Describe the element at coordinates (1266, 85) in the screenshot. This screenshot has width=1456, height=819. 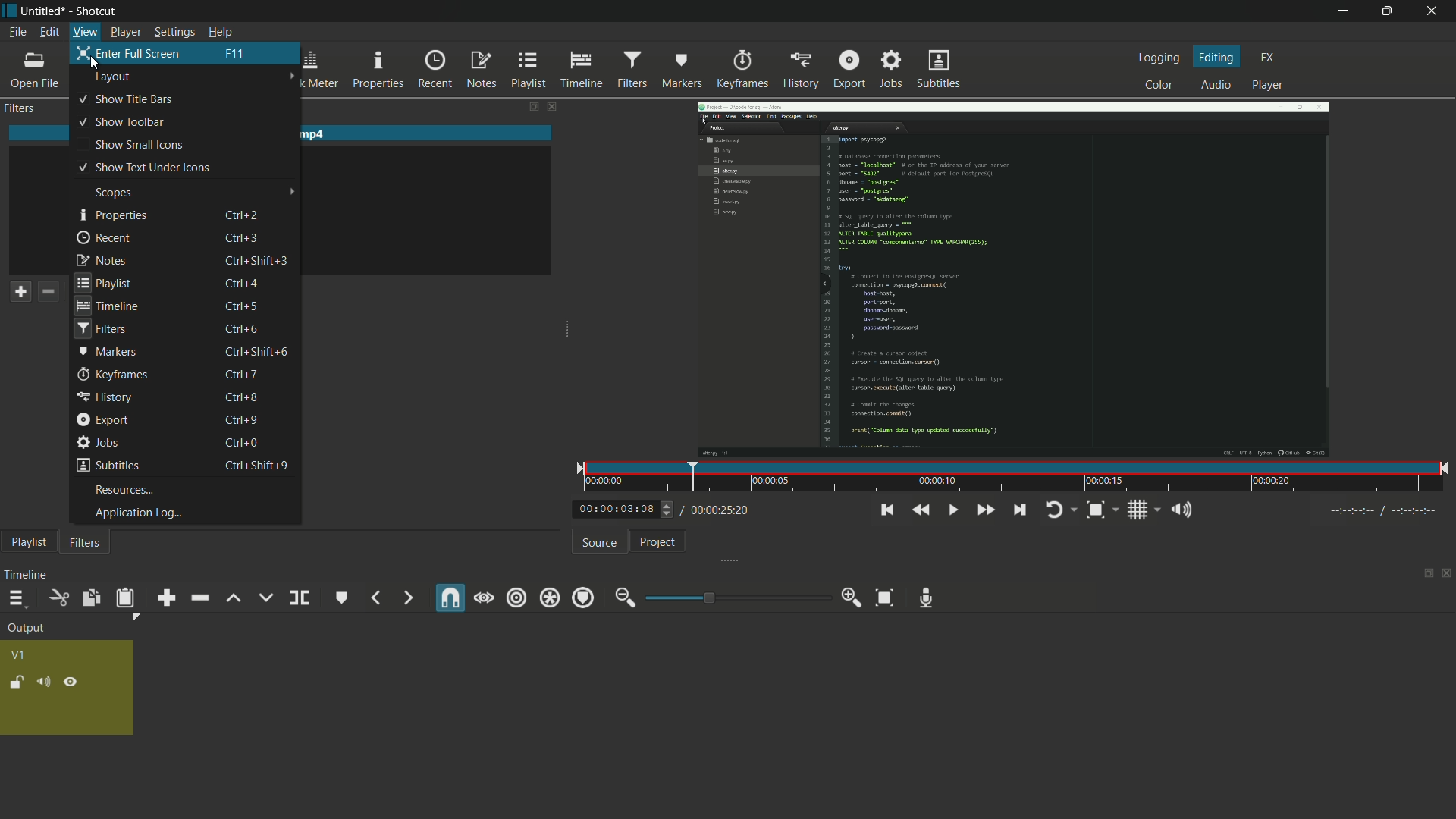
I see `player` at that location.